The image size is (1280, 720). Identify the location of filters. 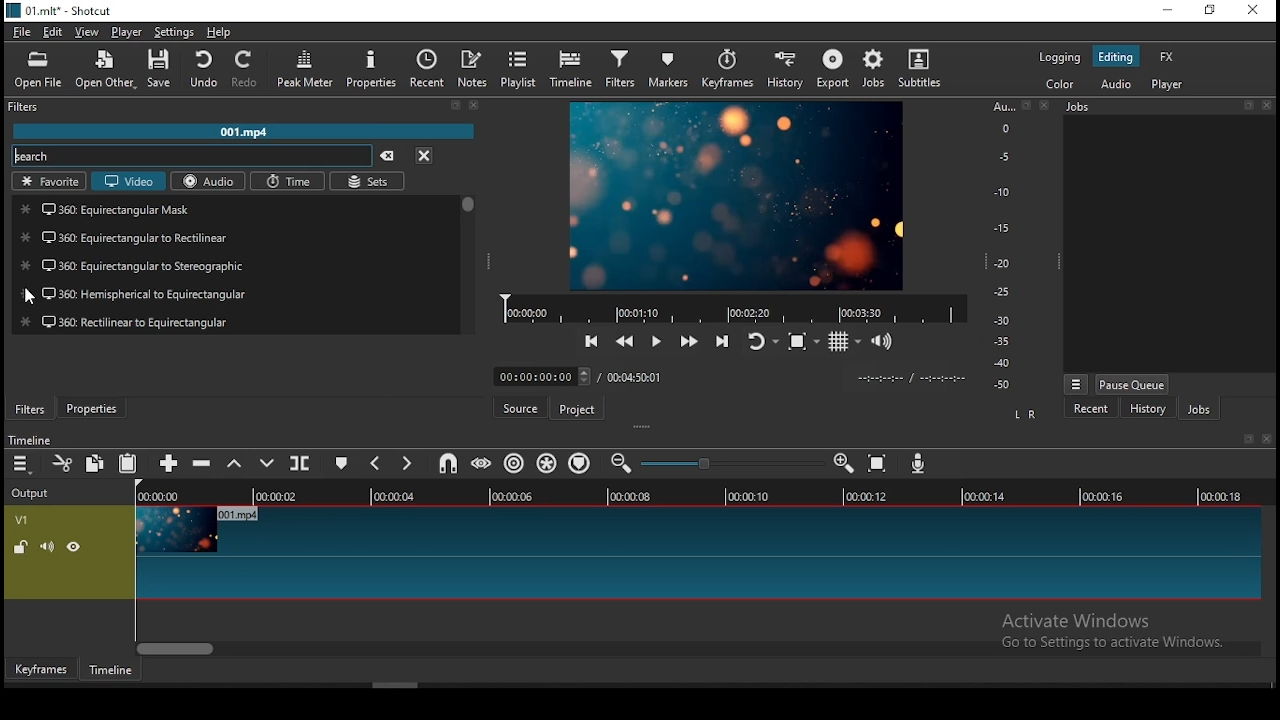
(623, 67).